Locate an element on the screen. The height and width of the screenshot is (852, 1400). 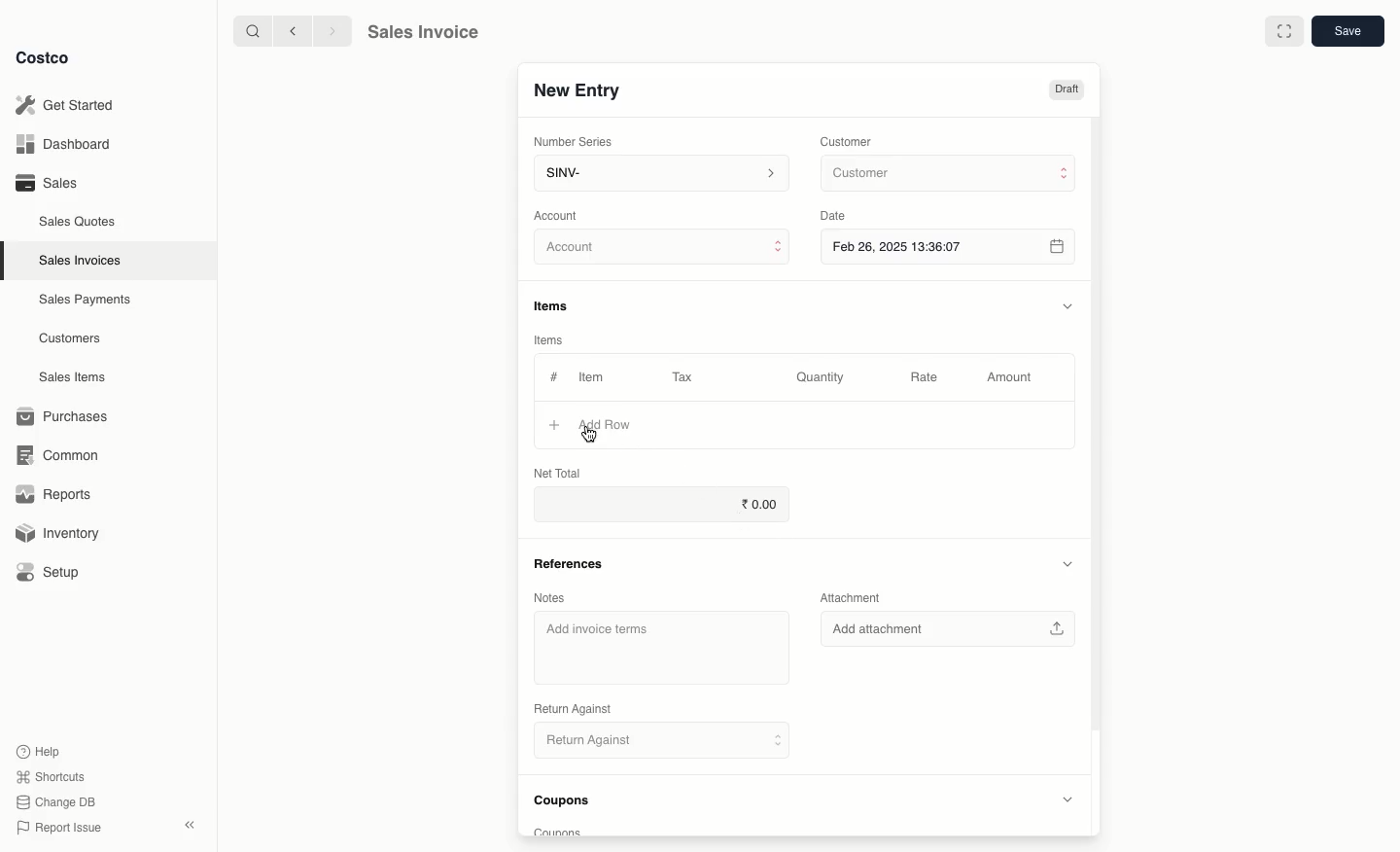
Attachment is located at coordinates (850, 596).